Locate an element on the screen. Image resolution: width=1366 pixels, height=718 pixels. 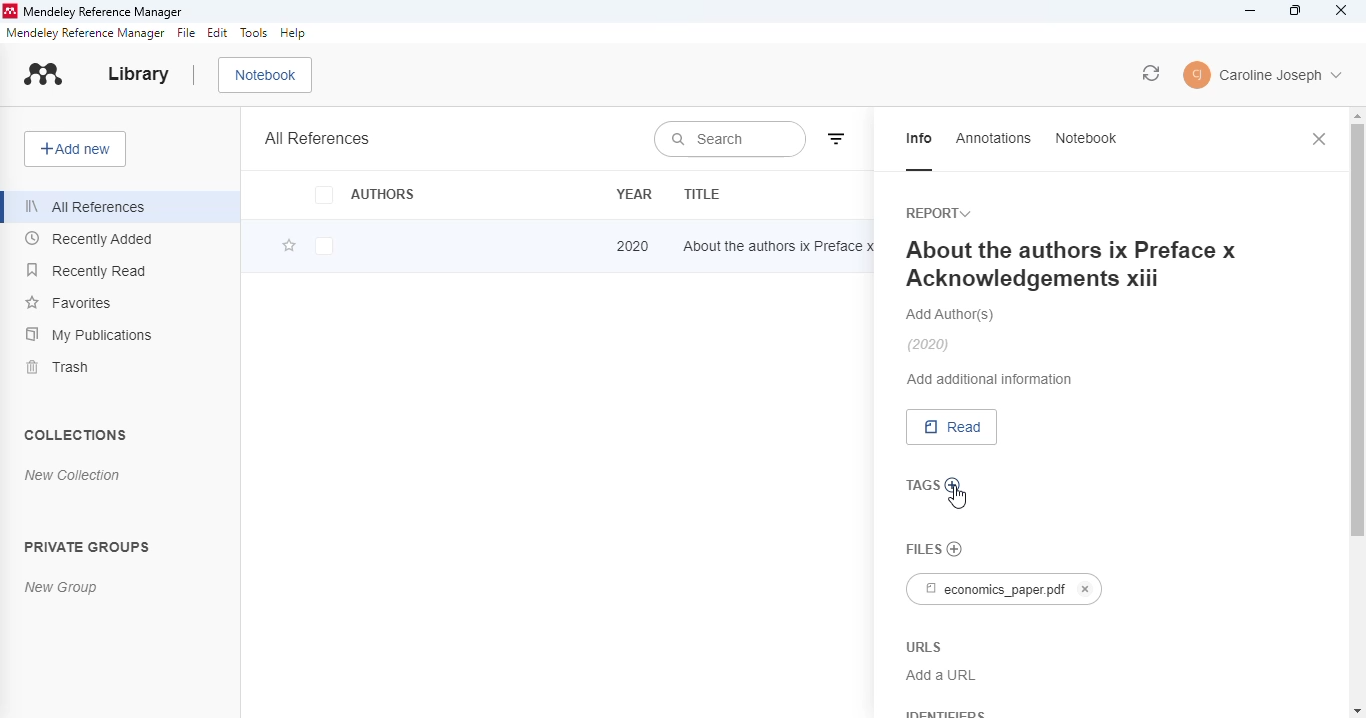
notebook is located at coordinates (265, 75).